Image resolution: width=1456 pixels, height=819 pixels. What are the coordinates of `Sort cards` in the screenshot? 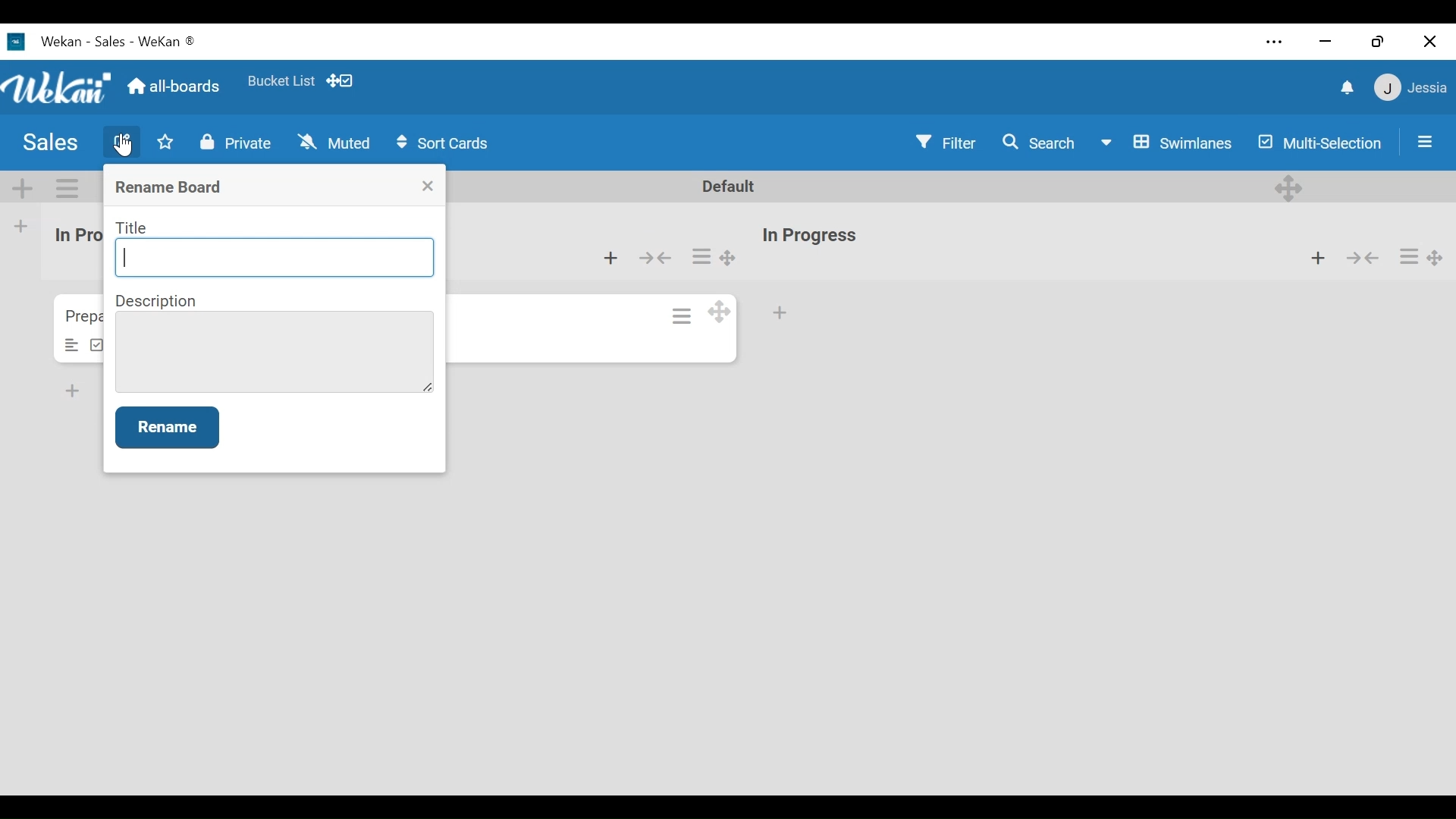 It's located at (442, 144).